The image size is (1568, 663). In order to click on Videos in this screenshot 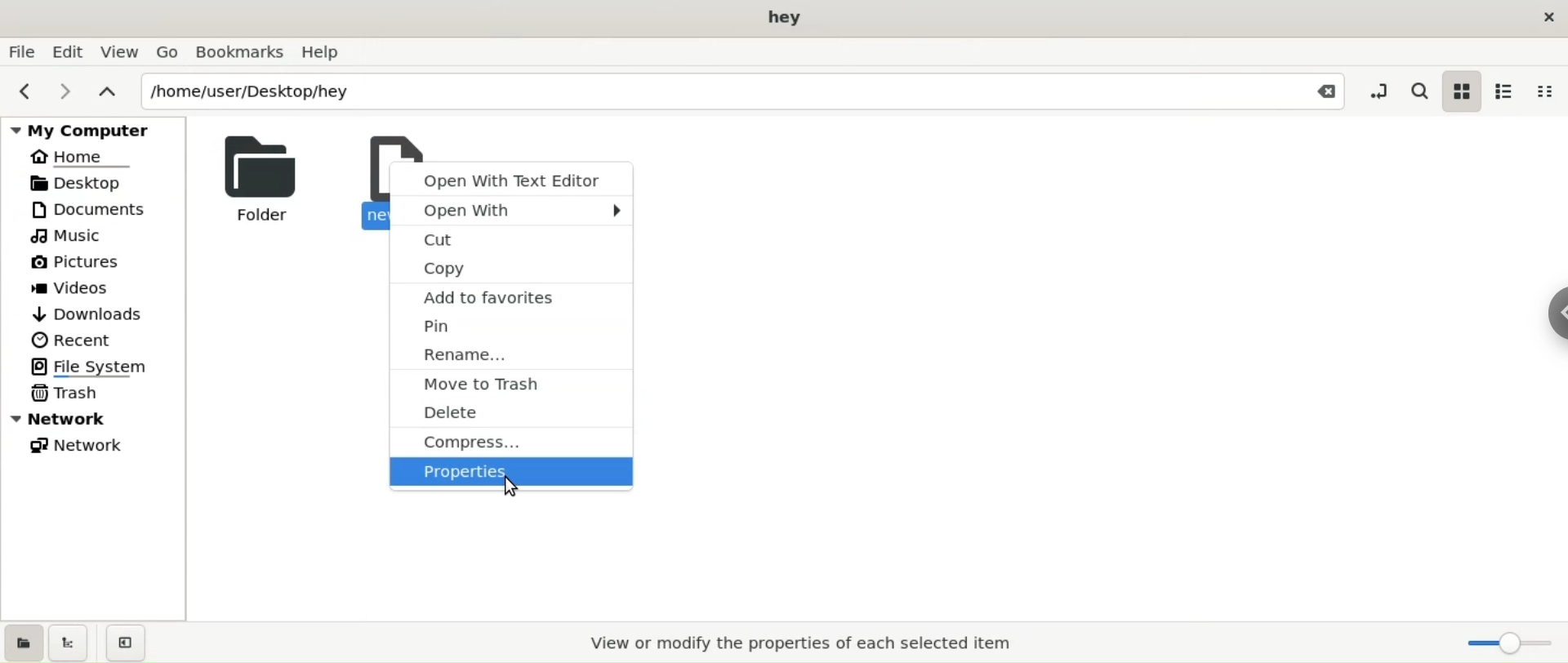, I will do `click(101, 289)`.